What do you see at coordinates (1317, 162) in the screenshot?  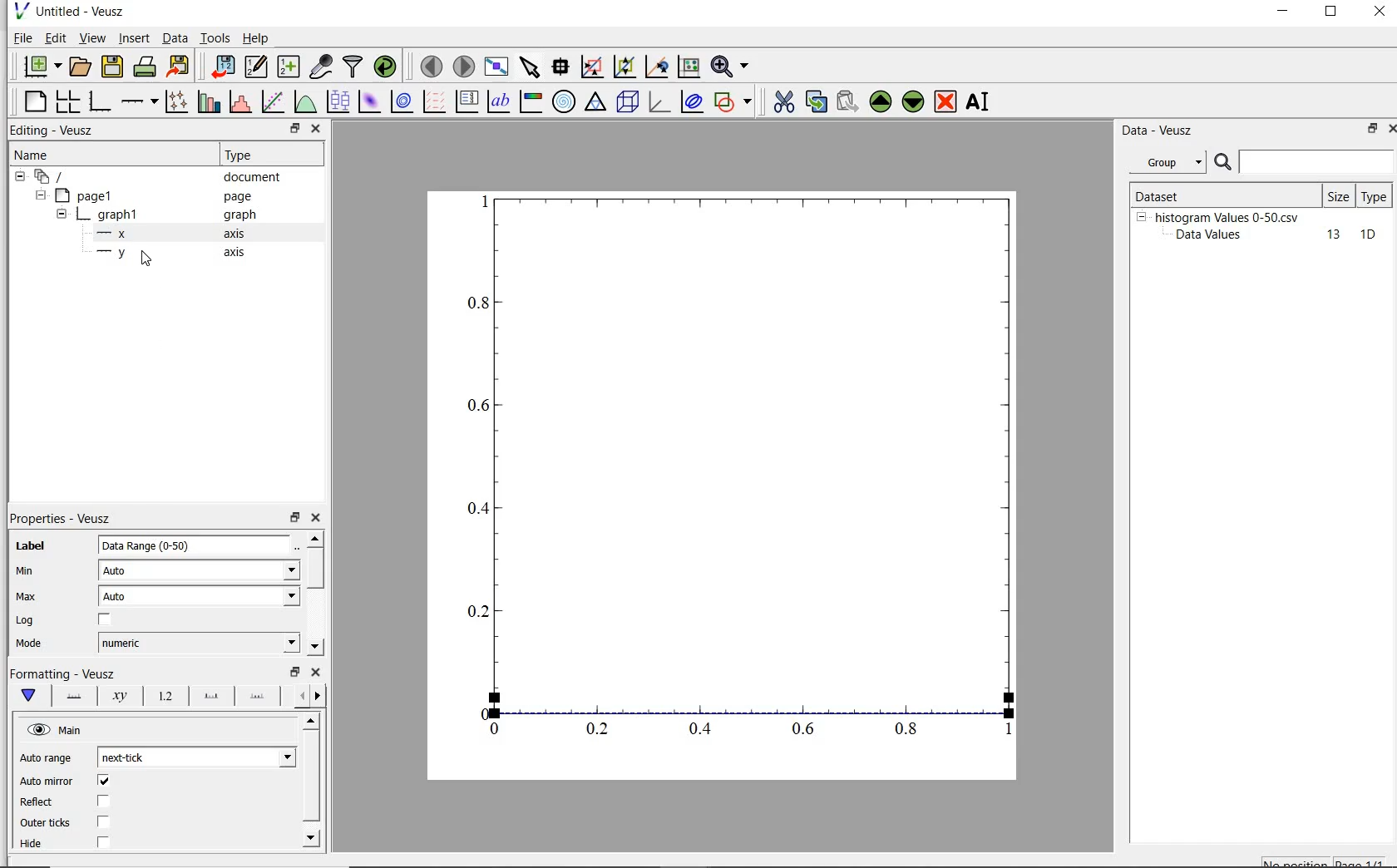 I see `search for dataset names` at bounding box center [1317, 162].